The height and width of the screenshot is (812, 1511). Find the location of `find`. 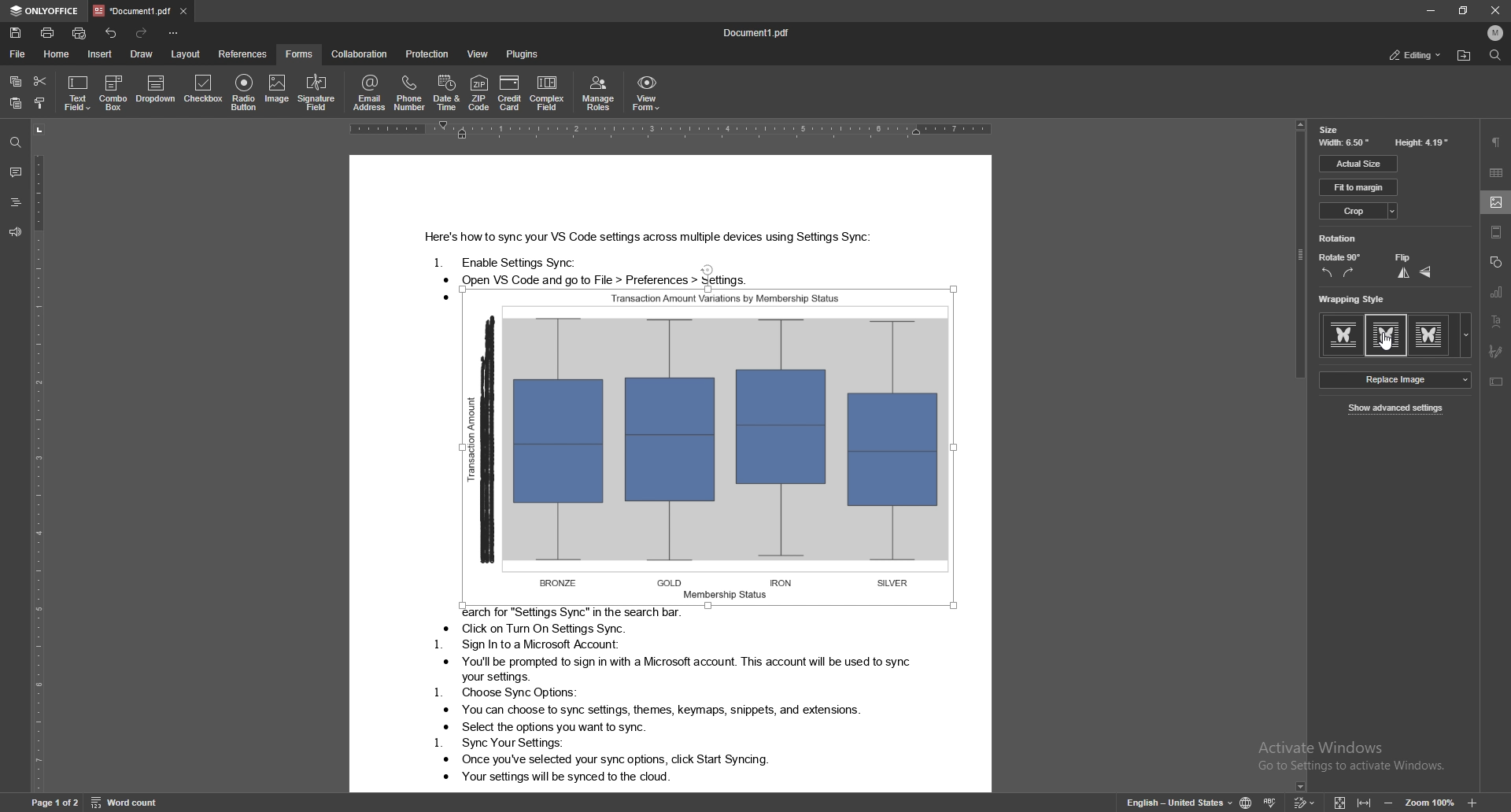

find is located at coordinates (1496, 55).